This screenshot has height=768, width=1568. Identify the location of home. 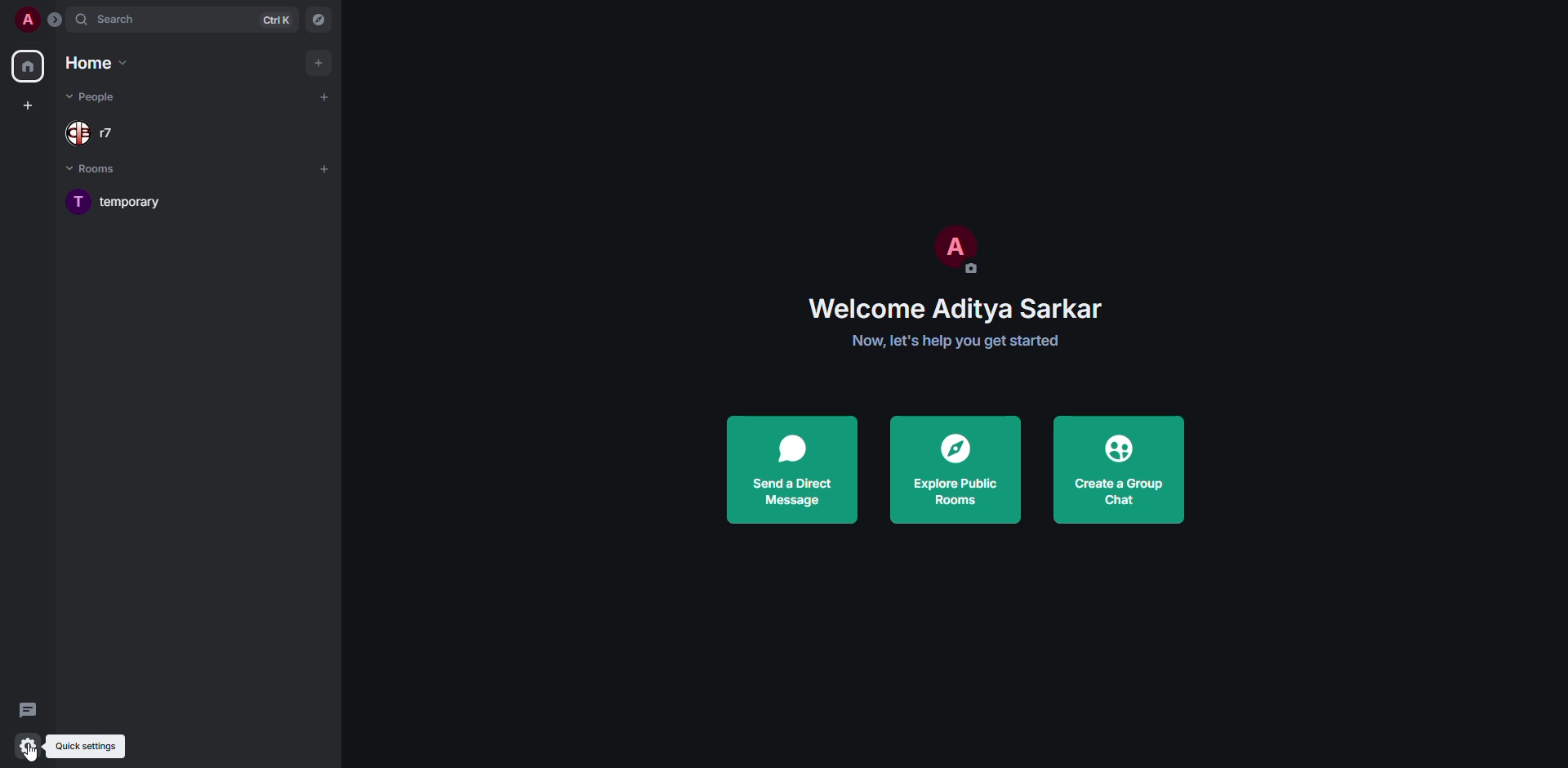
(31, 67).